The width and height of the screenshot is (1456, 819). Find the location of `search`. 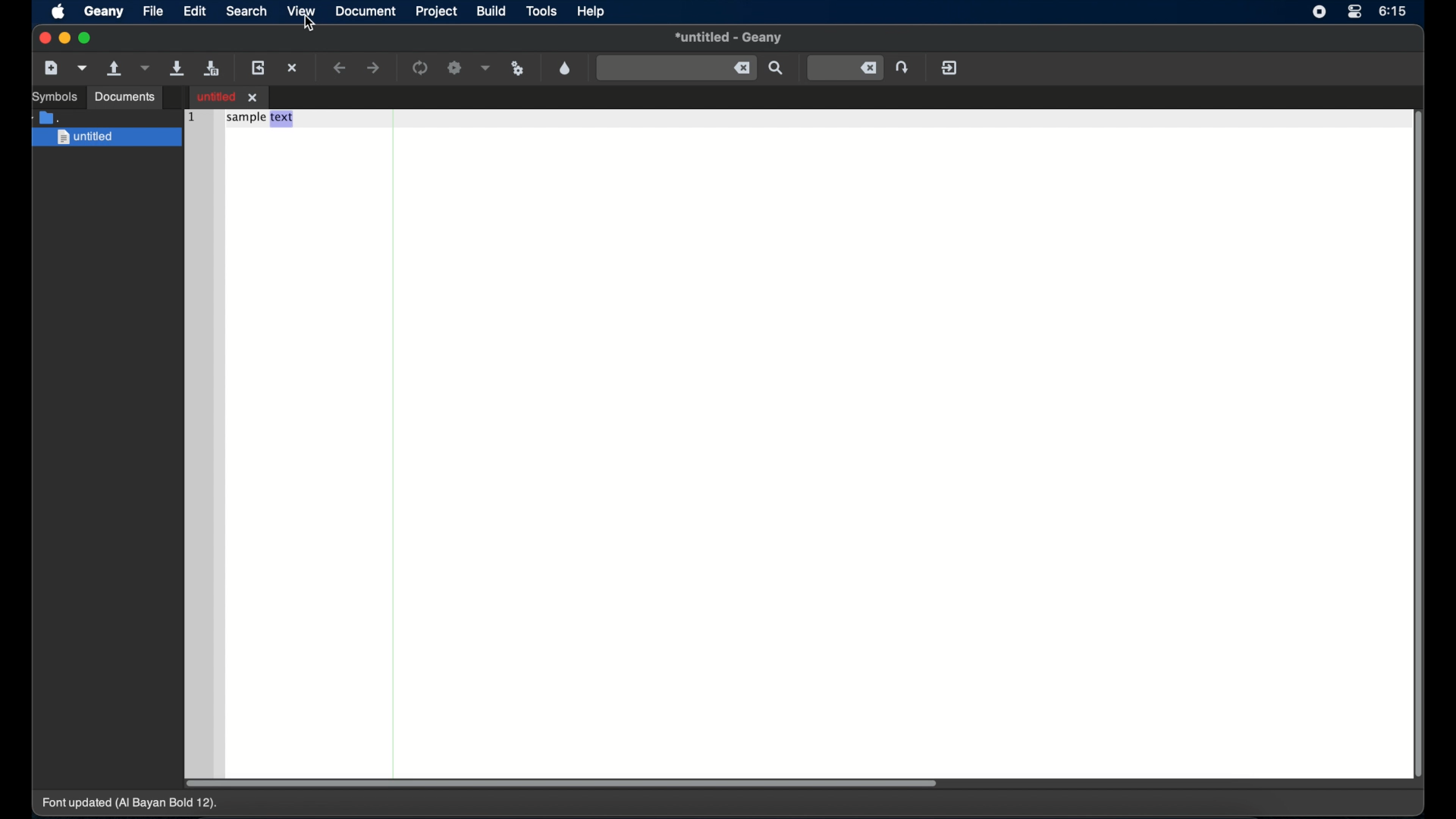

search is located at coordinates (247, 11).